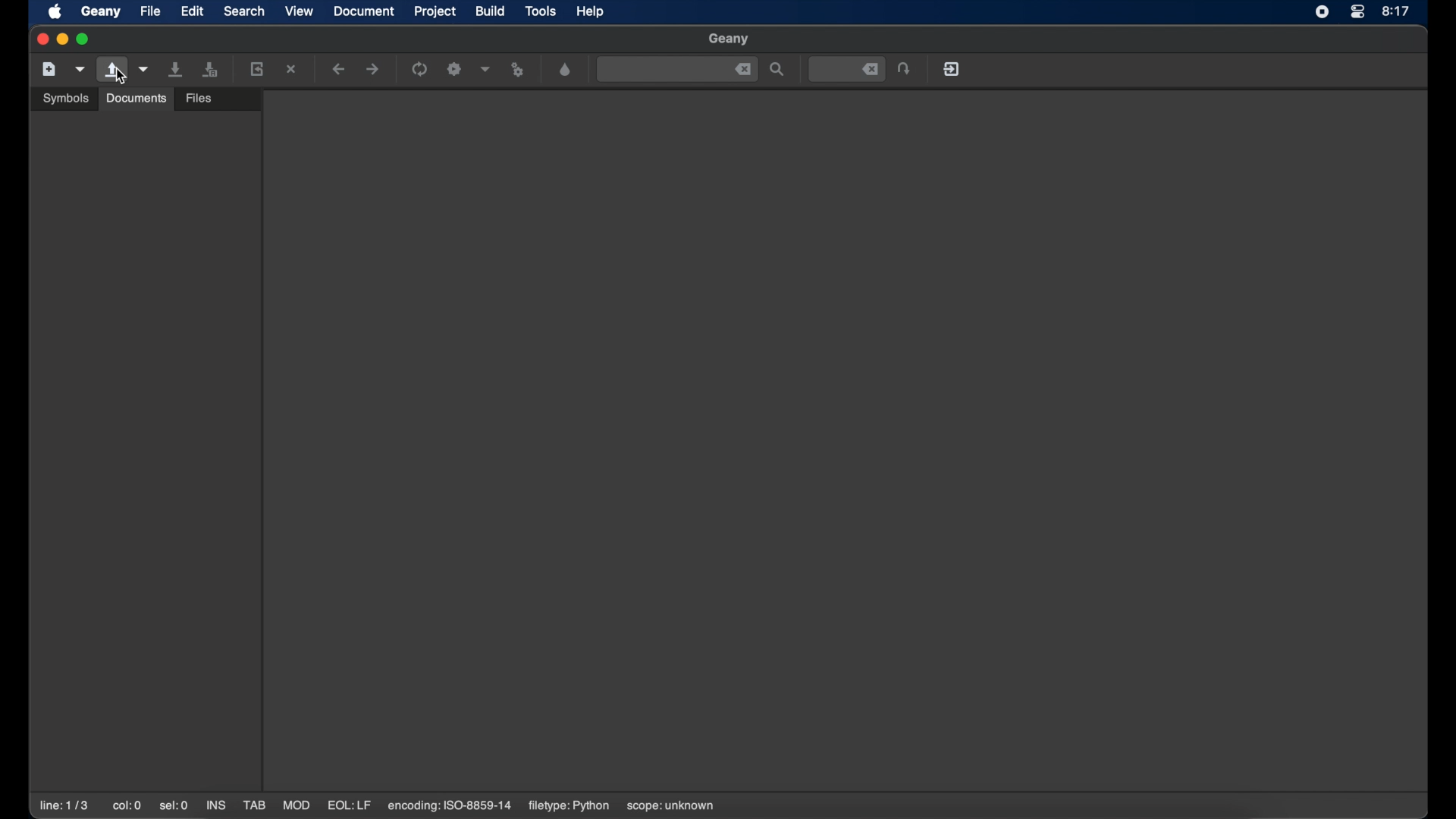  What do you see at coordinates (41, 38) in the screenshot?
I see `close` at bounding box center [41, 38].